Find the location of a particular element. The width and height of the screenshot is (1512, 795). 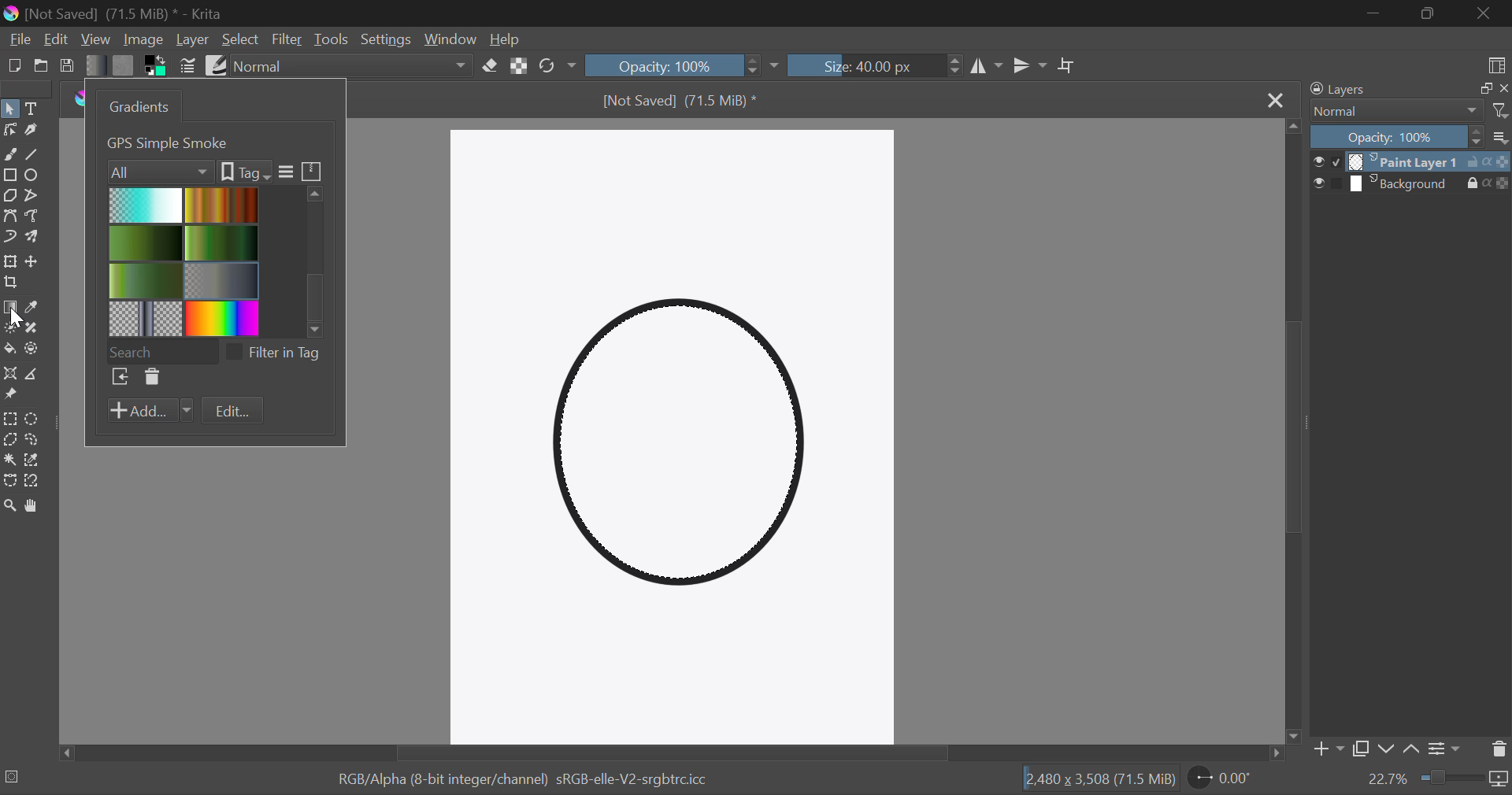

Polygon Selection Tool is located at coordinates (9, 439).